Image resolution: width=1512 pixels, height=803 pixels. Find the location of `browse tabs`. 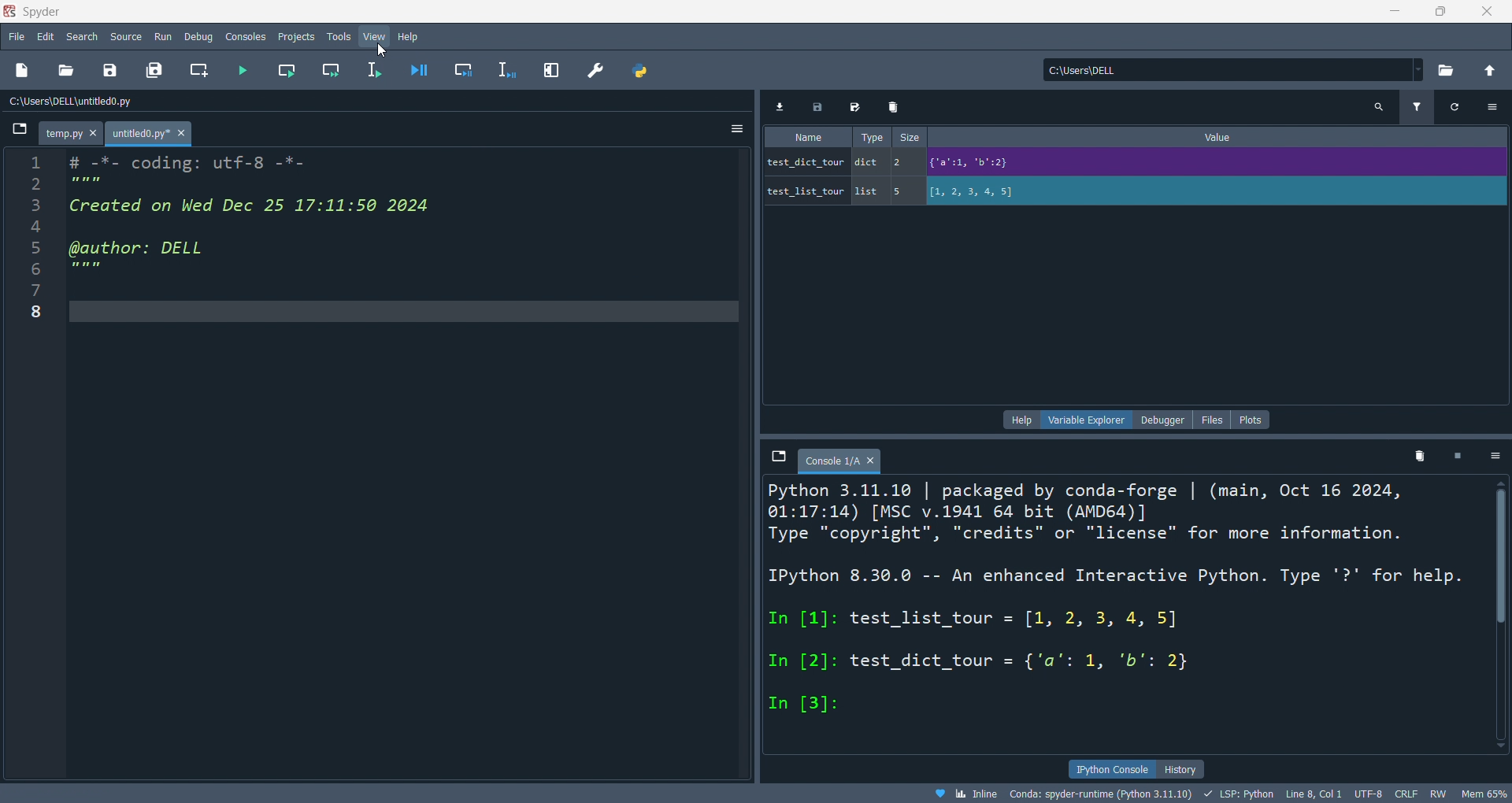

browse tabs is located at coordinates (778, 457).